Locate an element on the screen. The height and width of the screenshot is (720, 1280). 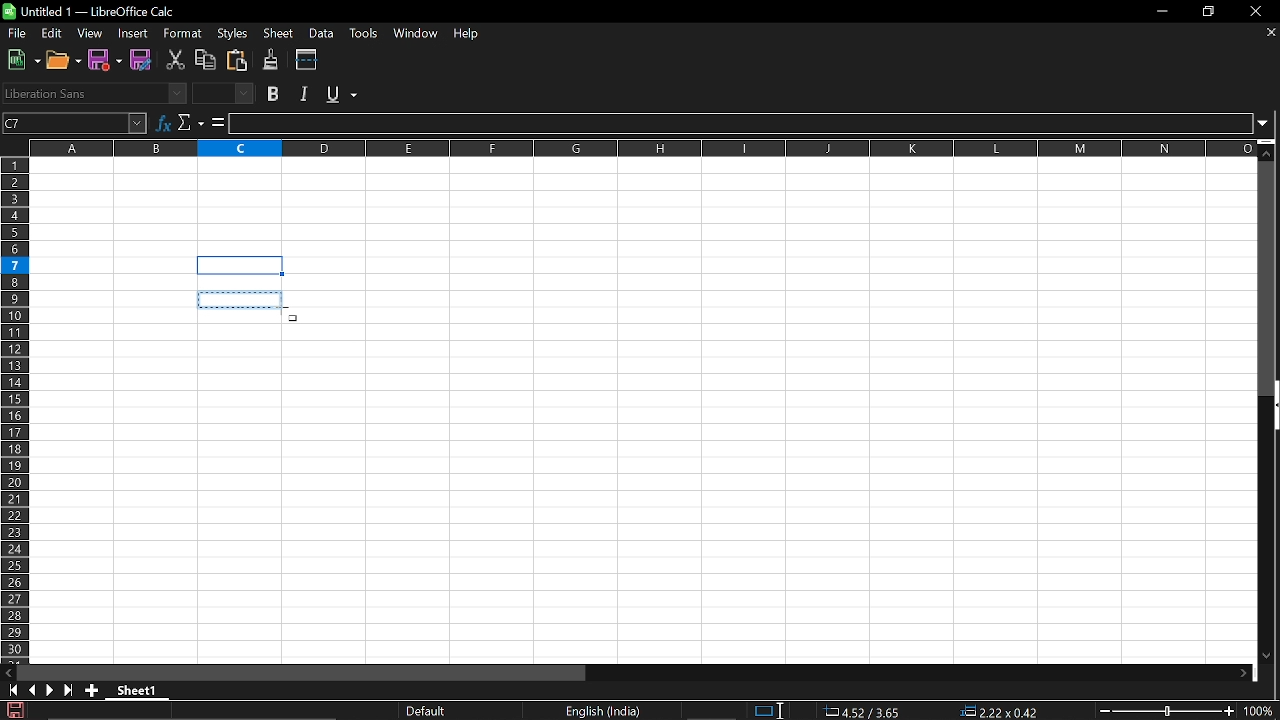
Open is located at coordinates (64, 60).